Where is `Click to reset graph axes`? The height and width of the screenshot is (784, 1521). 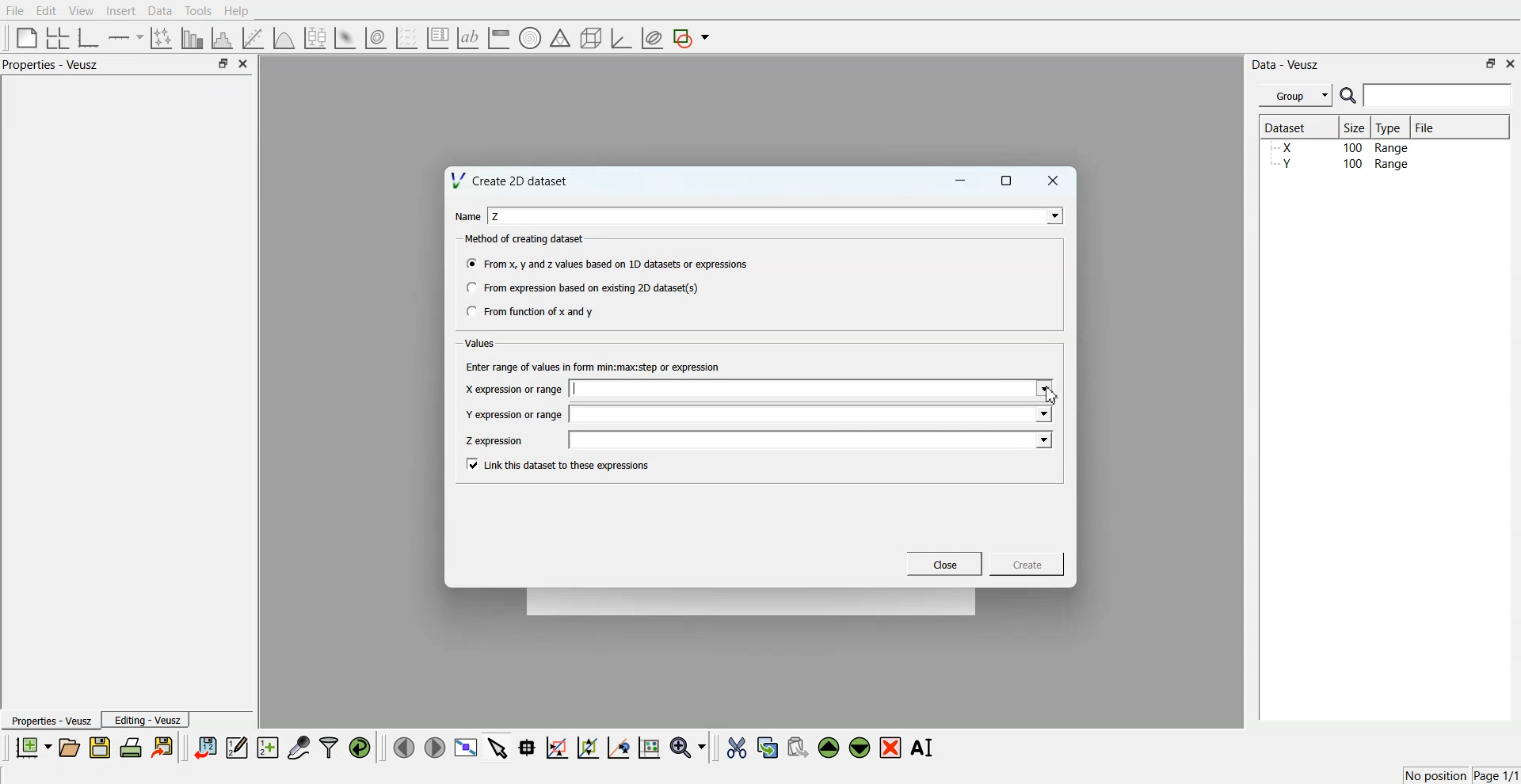 Click to reset graph axes is located at coordinates (649, 746).